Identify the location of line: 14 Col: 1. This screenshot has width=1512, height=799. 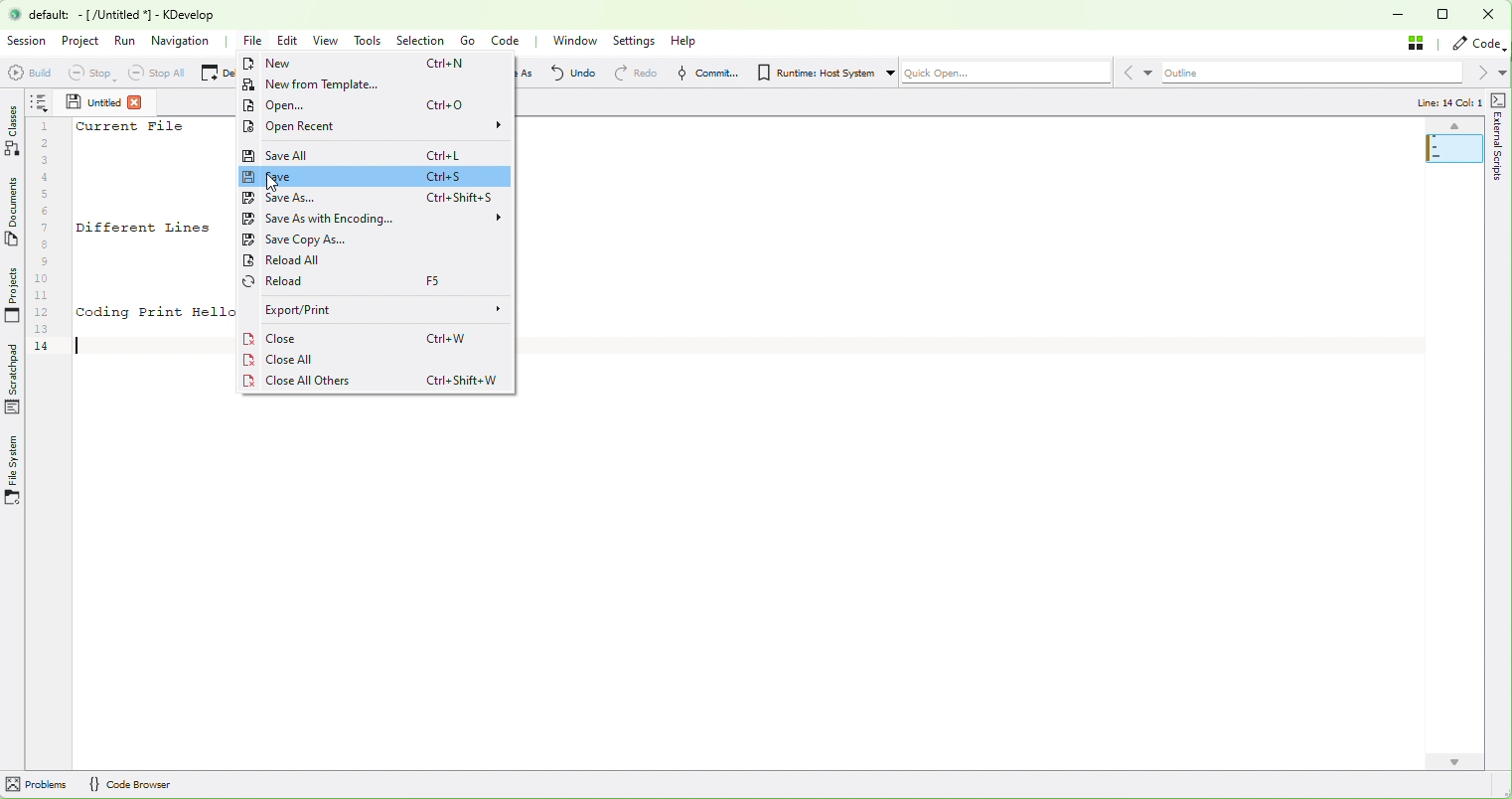
(1446, 101).